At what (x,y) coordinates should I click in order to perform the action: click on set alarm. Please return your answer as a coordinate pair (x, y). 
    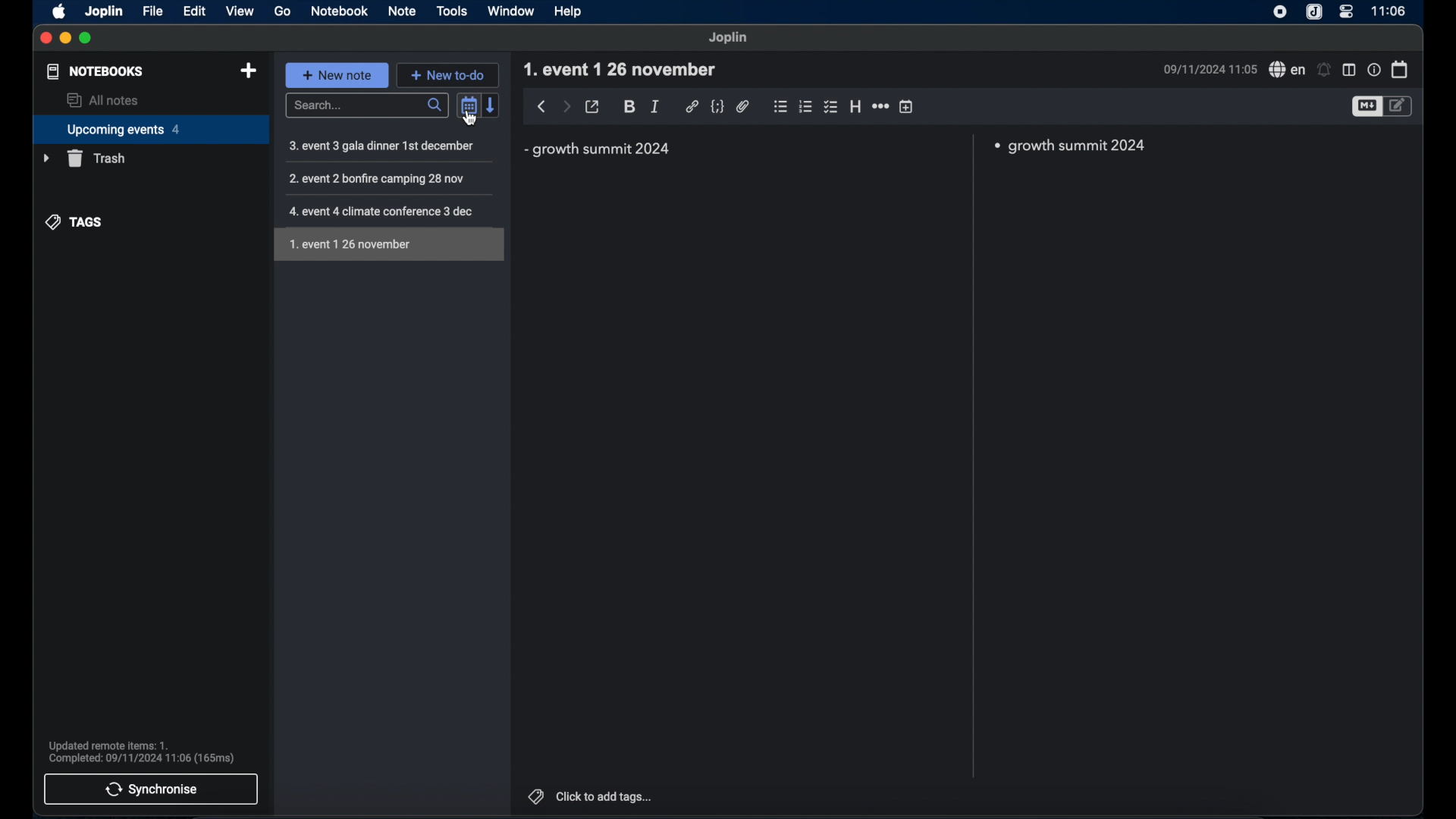
    Looking at the image, I should click on (1324, 69).